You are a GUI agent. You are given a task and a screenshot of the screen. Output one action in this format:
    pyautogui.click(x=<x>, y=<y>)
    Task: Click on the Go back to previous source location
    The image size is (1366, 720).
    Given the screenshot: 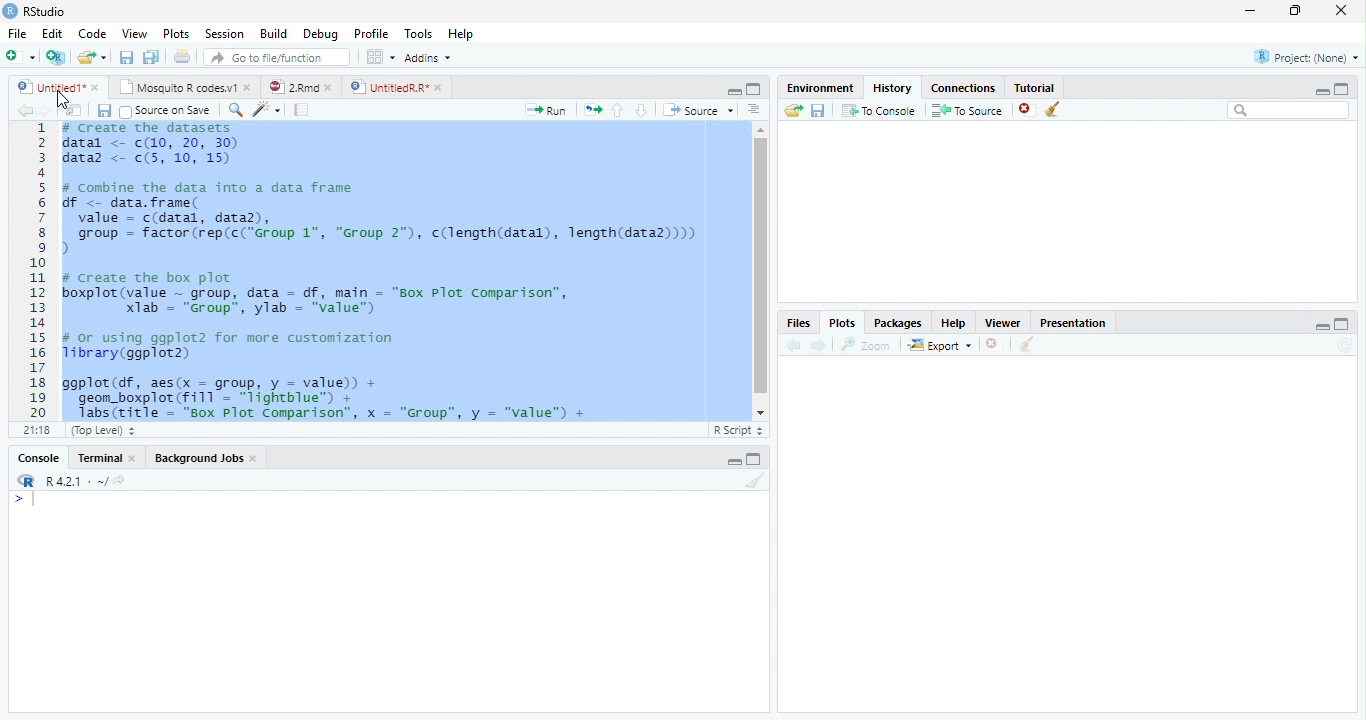 What is the action you would take?
    pyautogui.click(x=24, y=110)
    